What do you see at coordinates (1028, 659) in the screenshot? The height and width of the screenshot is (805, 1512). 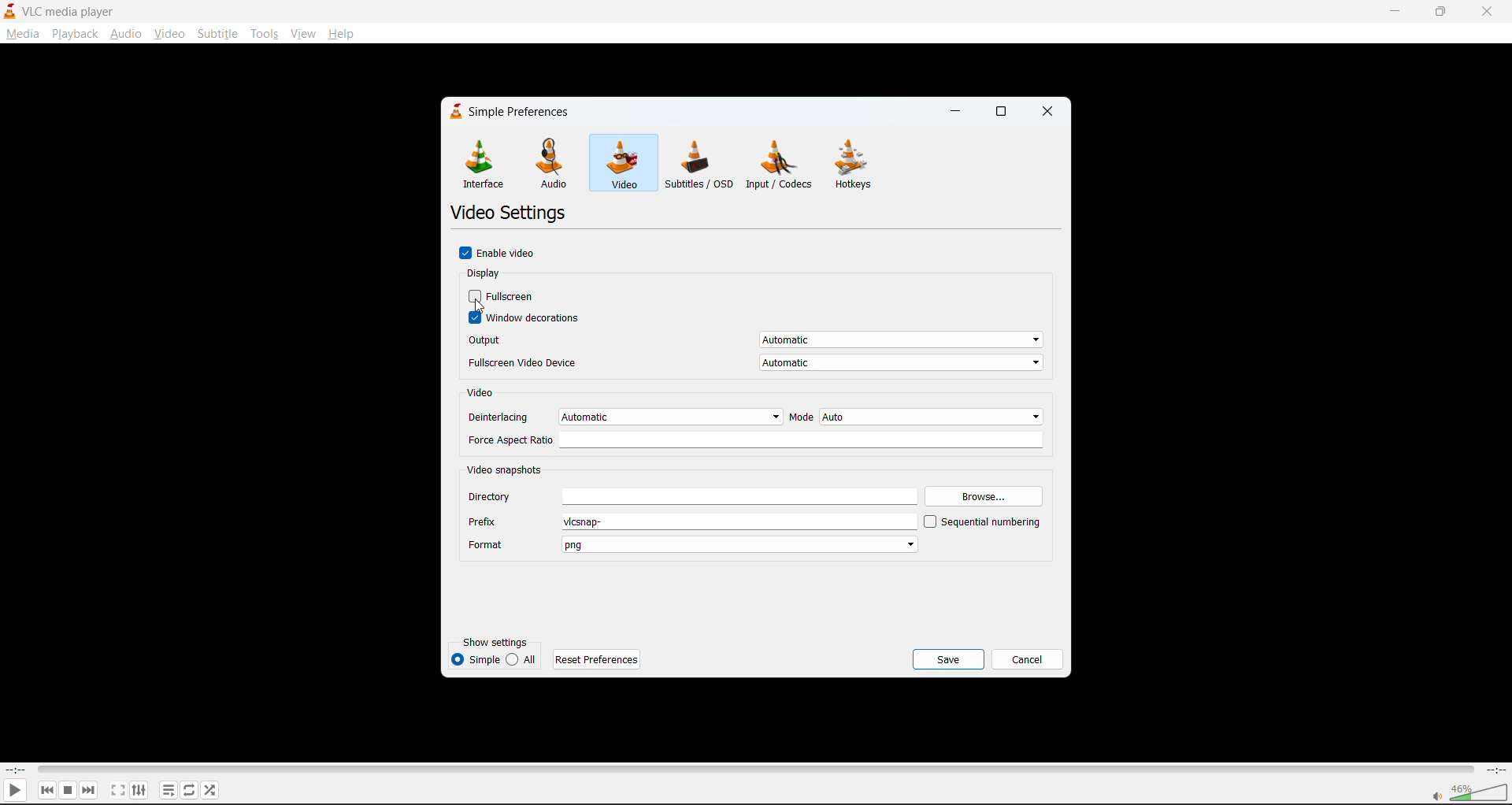 I see `cancel` at bounding box center [1028, 659].